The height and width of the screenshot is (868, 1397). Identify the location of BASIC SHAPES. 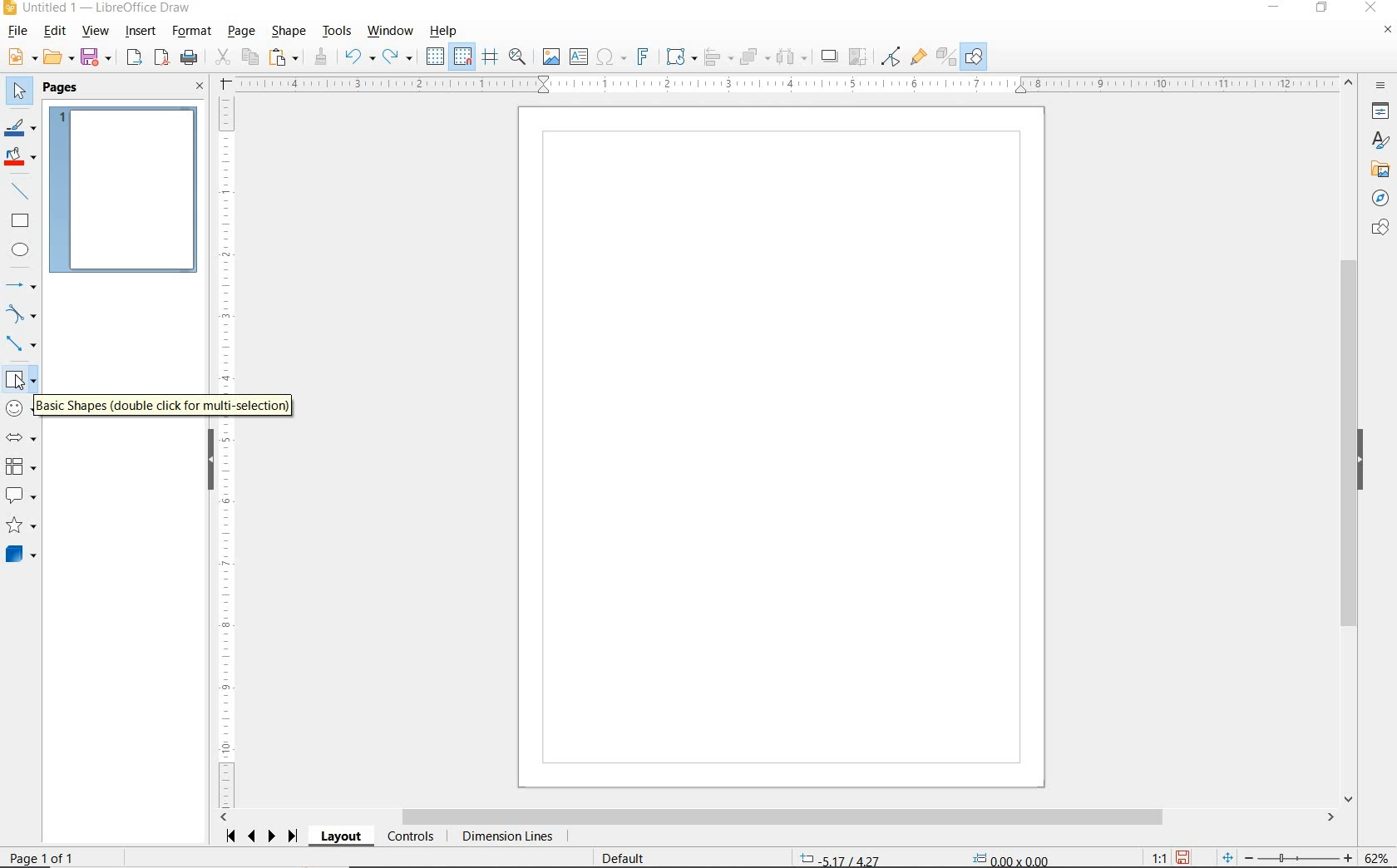
(20, 378).